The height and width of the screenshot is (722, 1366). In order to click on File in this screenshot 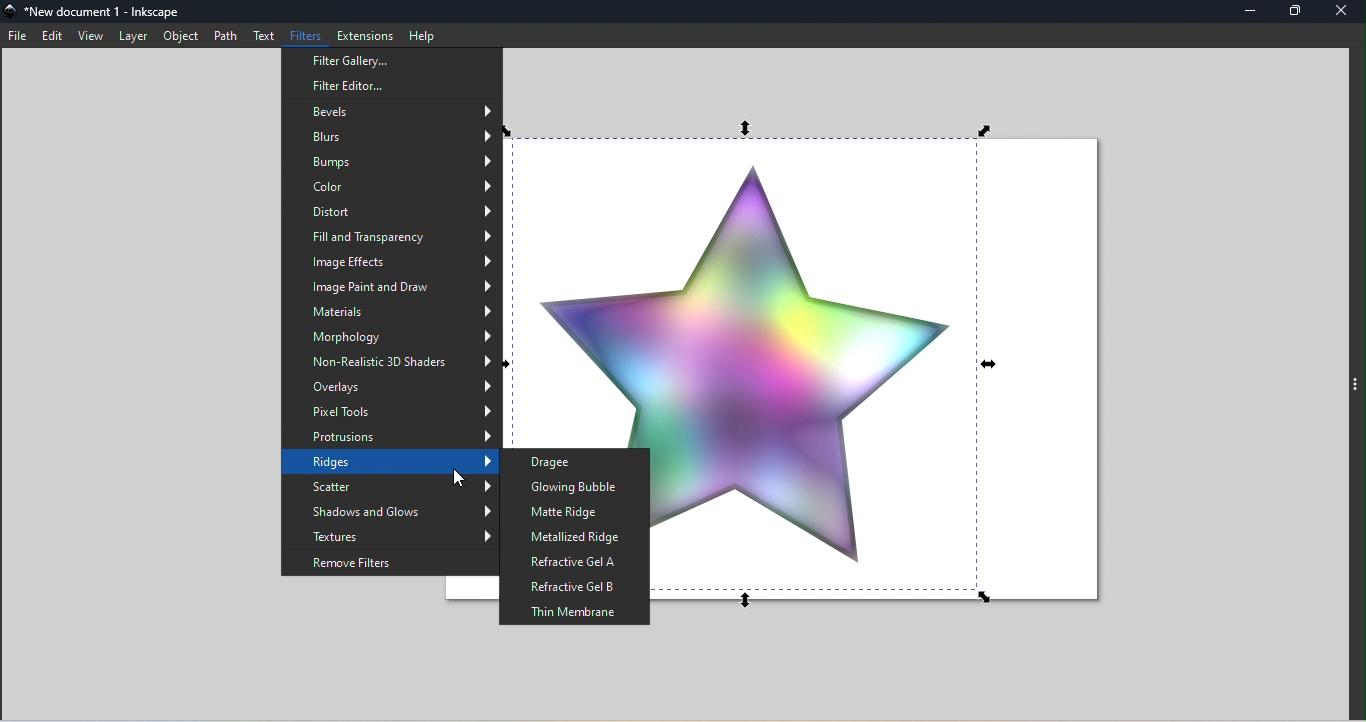, I will do `click(17, 37)`.